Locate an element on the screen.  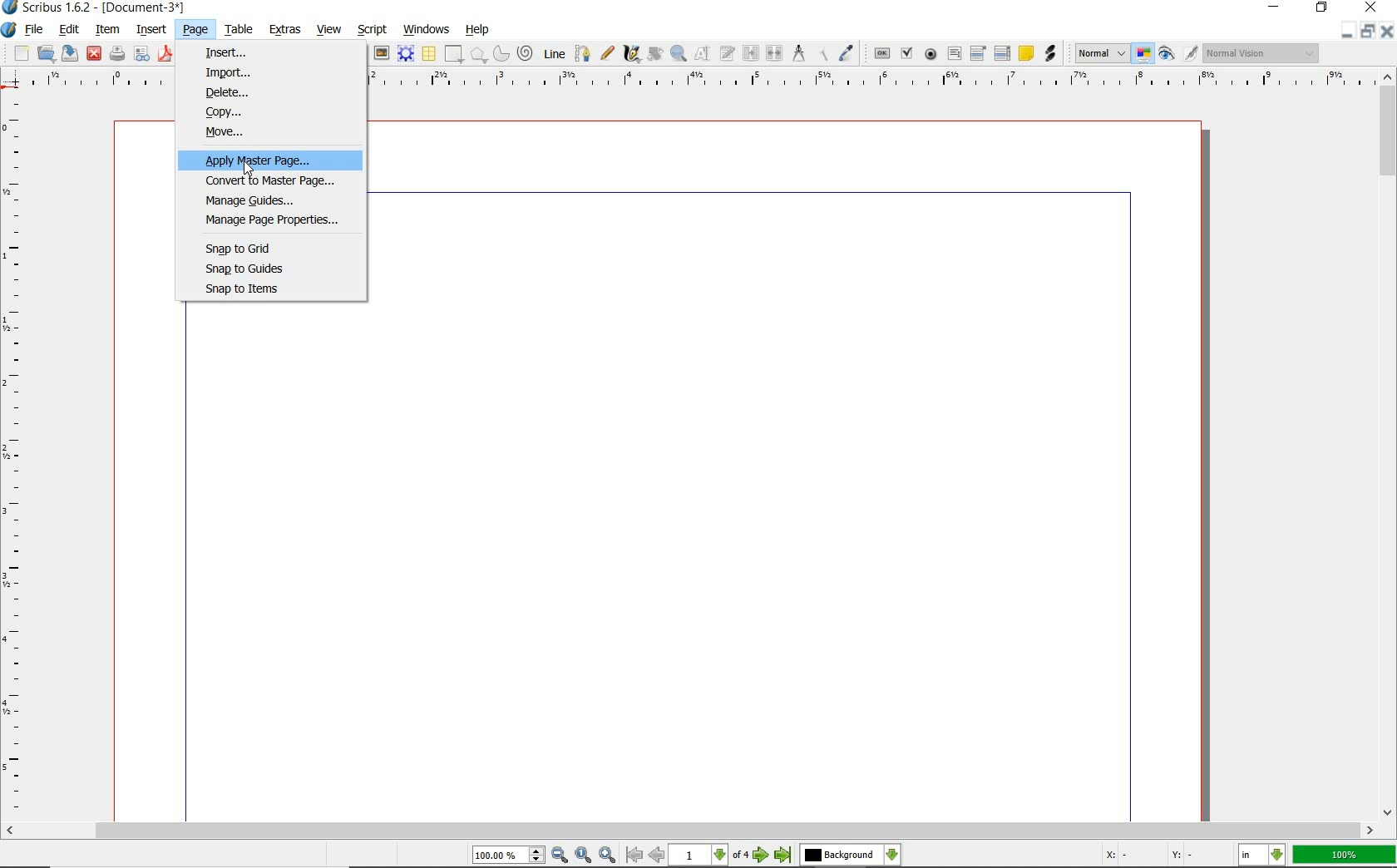
Last Page is located at coordinates (783, 857).